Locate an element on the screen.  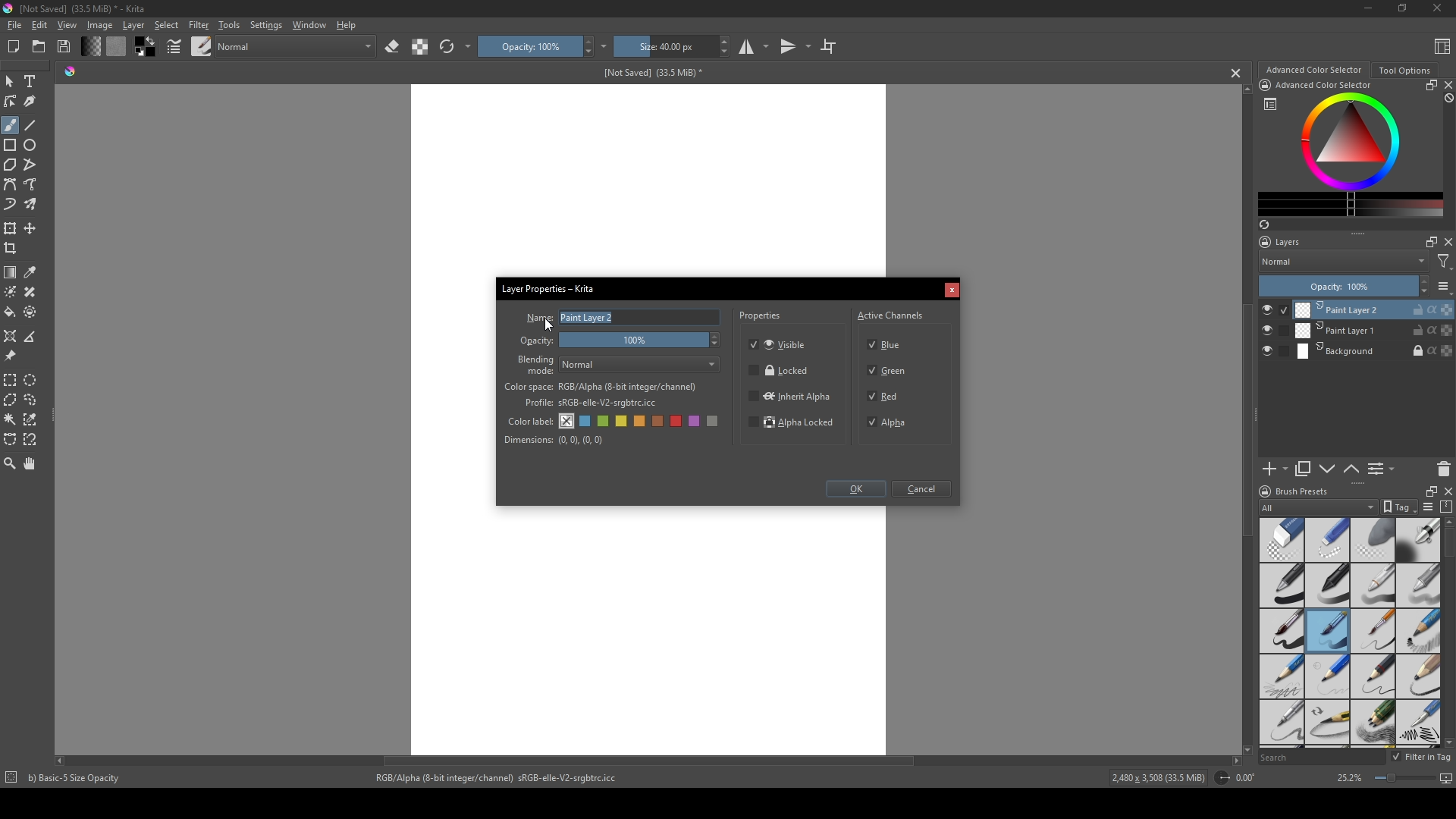
file is located at coordinates (14, 26).